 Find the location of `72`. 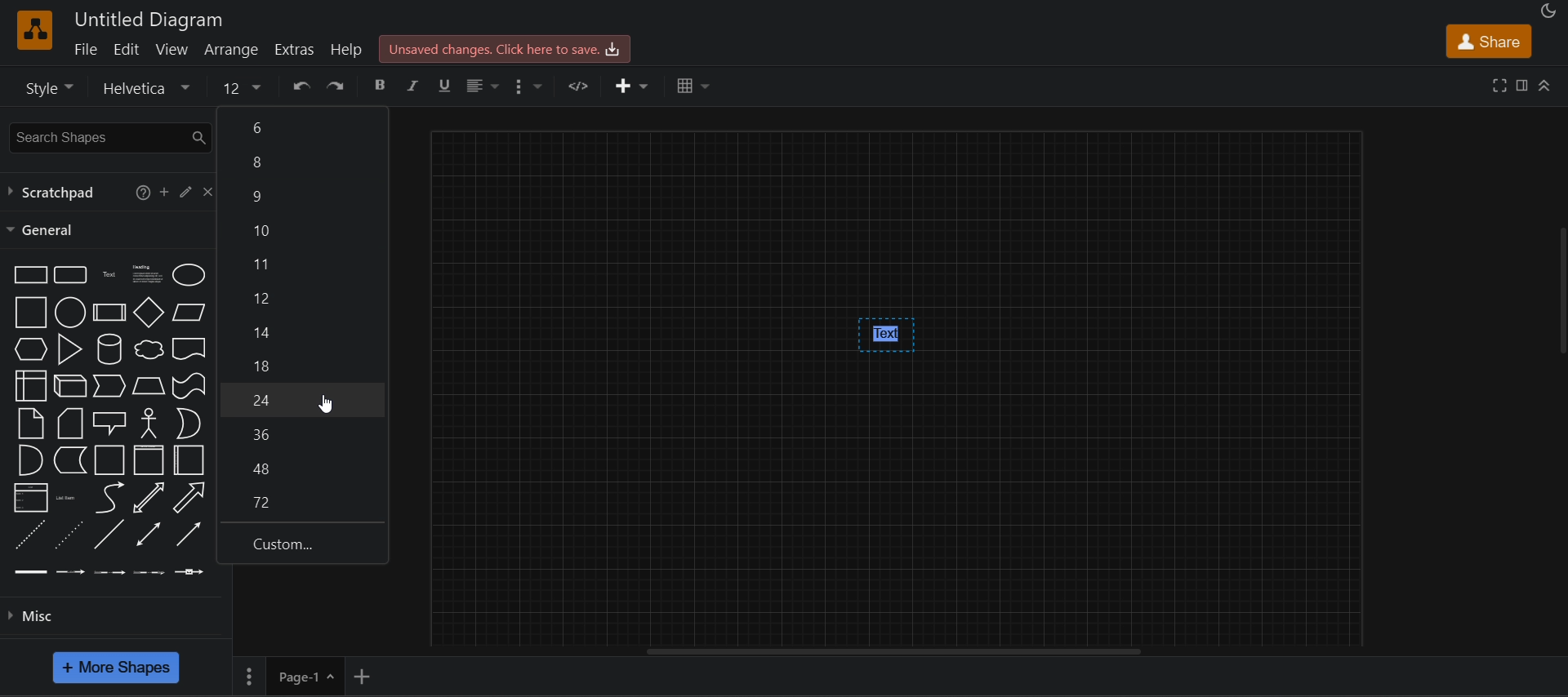

72 is located at coordinates (302, 504).